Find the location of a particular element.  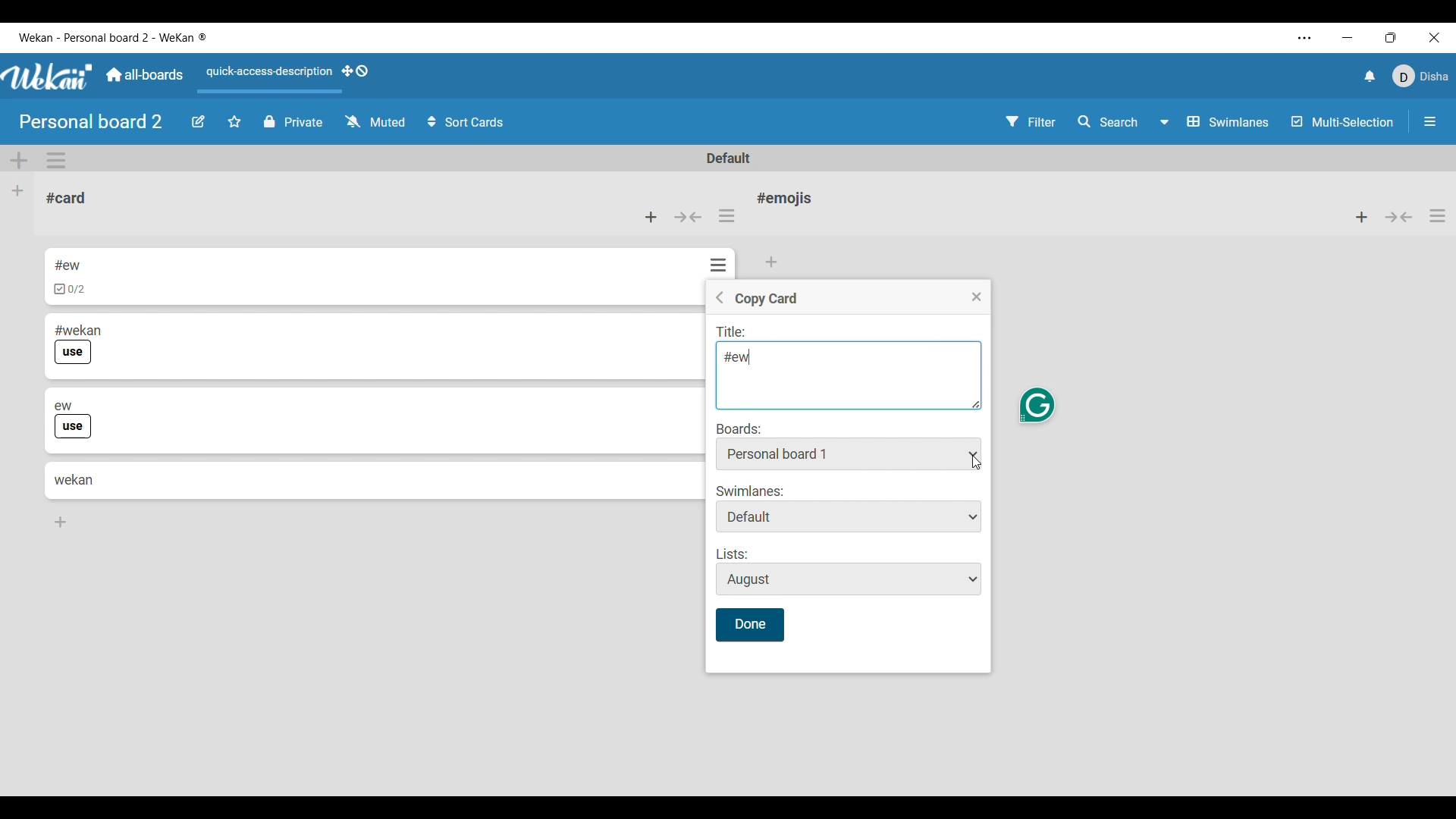

Grammarly extension is located at coordinates (1037, 406).